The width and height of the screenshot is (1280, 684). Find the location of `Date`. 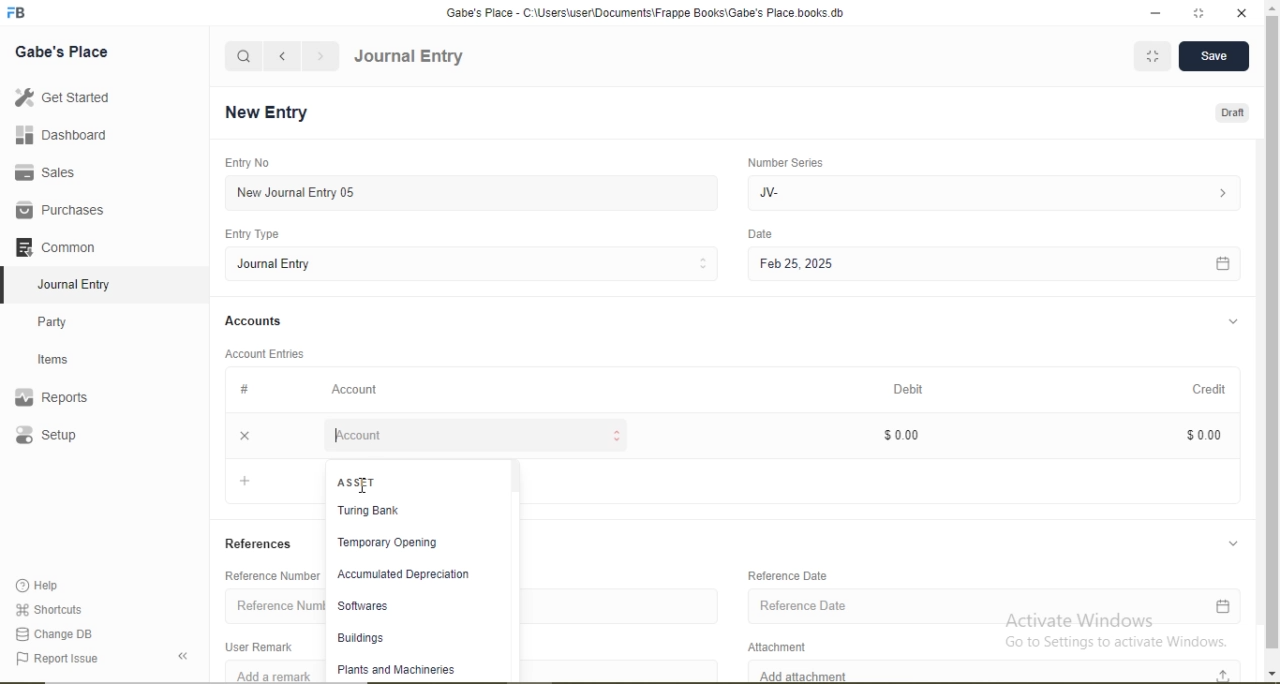

Date is located at coordinates (769, 234).